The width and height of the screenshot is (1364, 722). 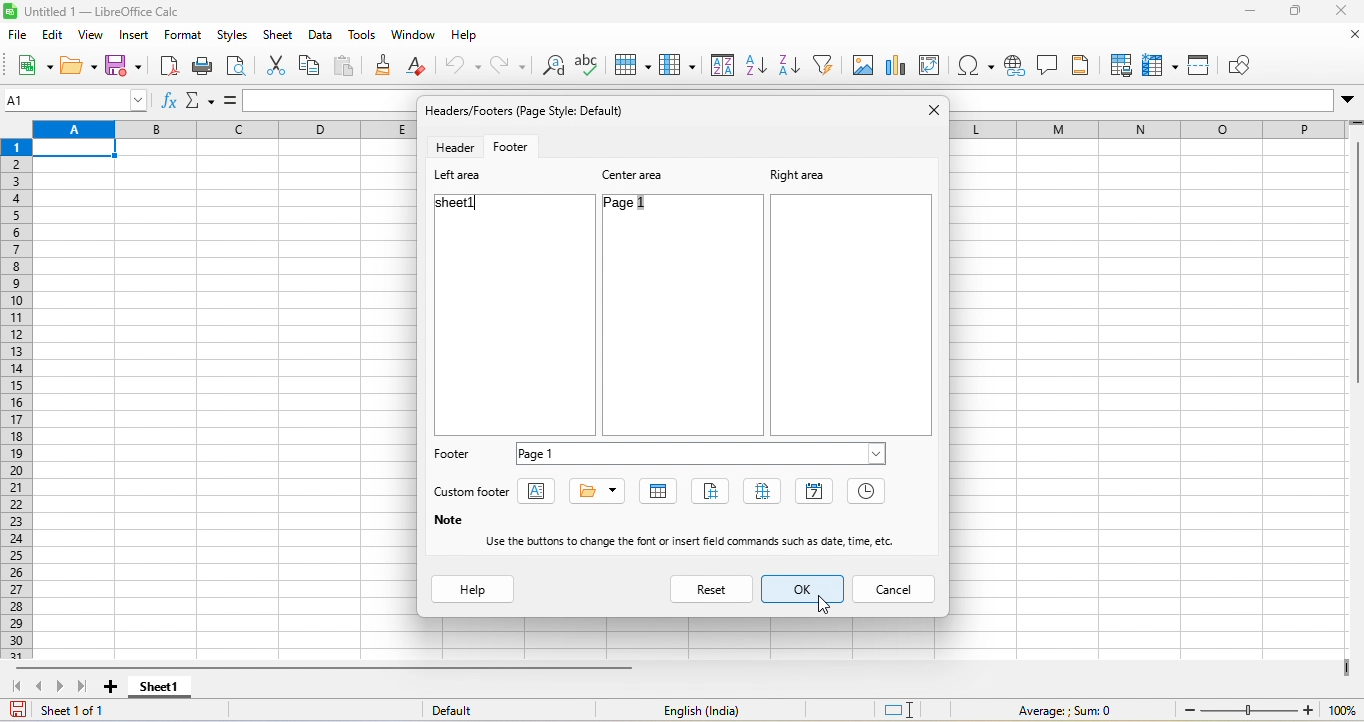 What do you see at coordinates (1296, 13) in the screenshot?
I see `maximize` at bounding box center [1296, 13].